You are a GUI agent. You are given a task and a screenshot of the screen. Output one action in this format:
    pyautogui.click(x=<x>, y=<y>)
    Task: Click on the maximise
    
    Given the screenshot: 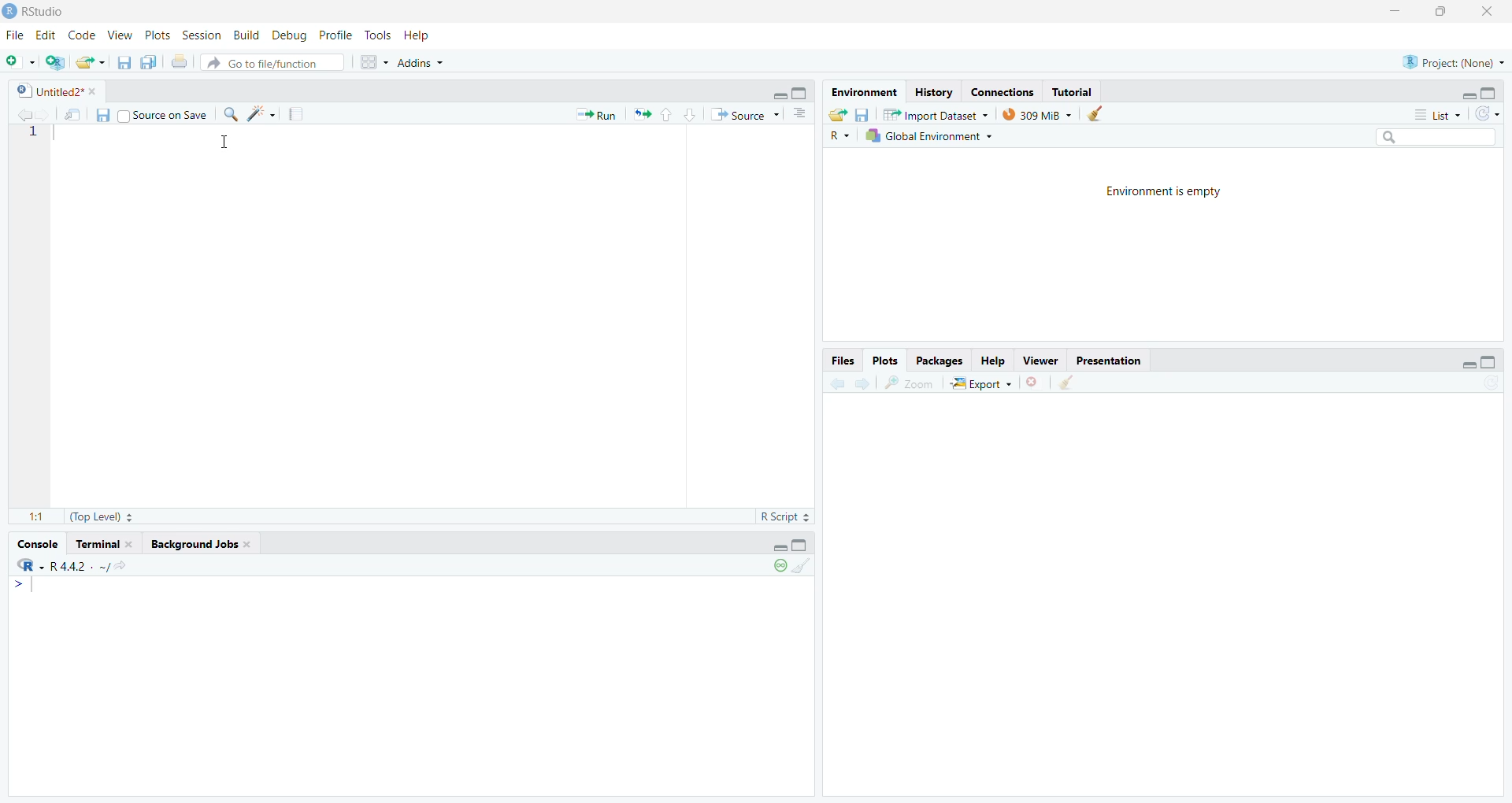 What is the action you would take?
    pyautogui.click(x=801, y=92)
    